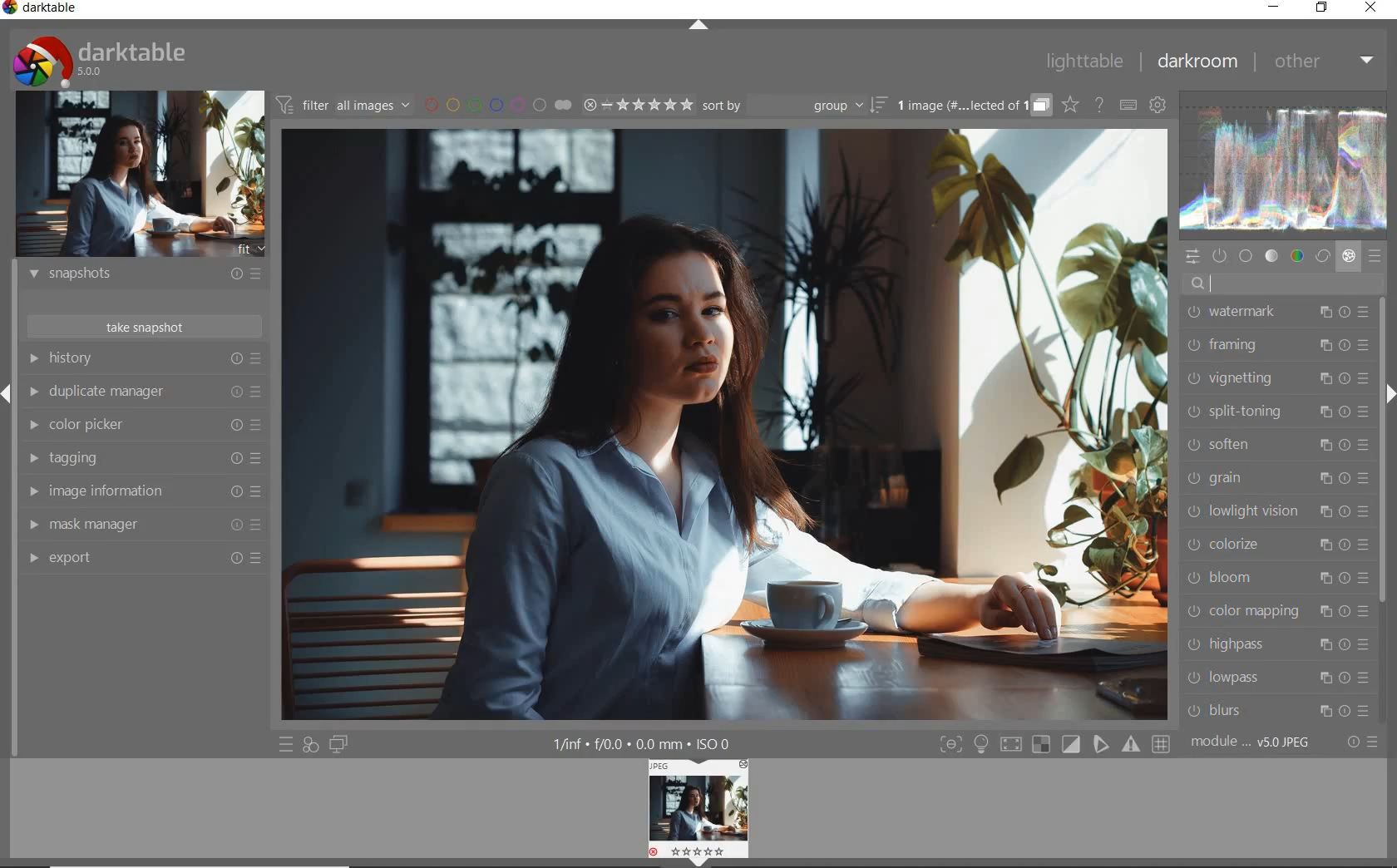  I want to click on base, so click(1246, 256).